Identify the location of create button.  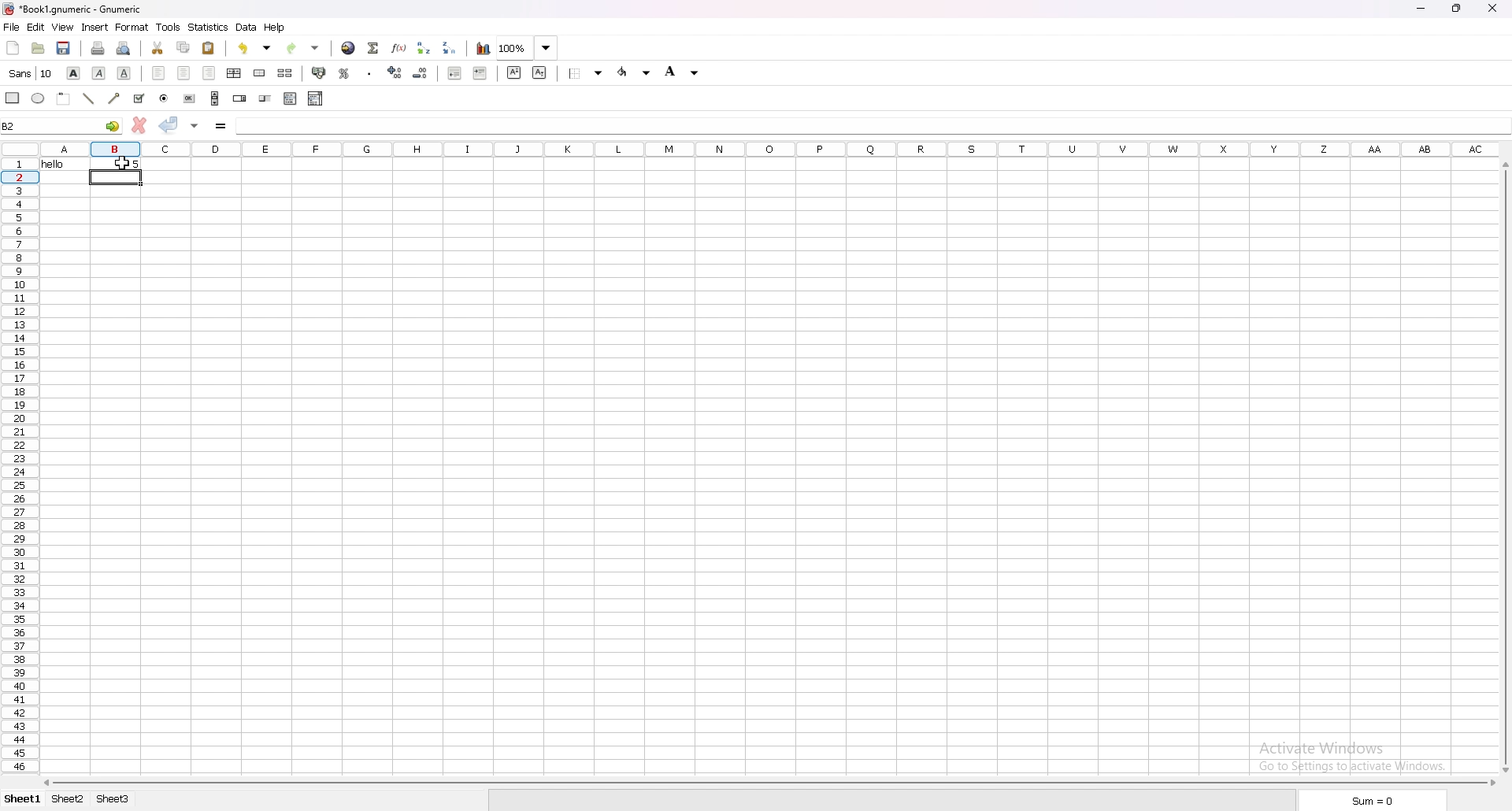
(190, 98).